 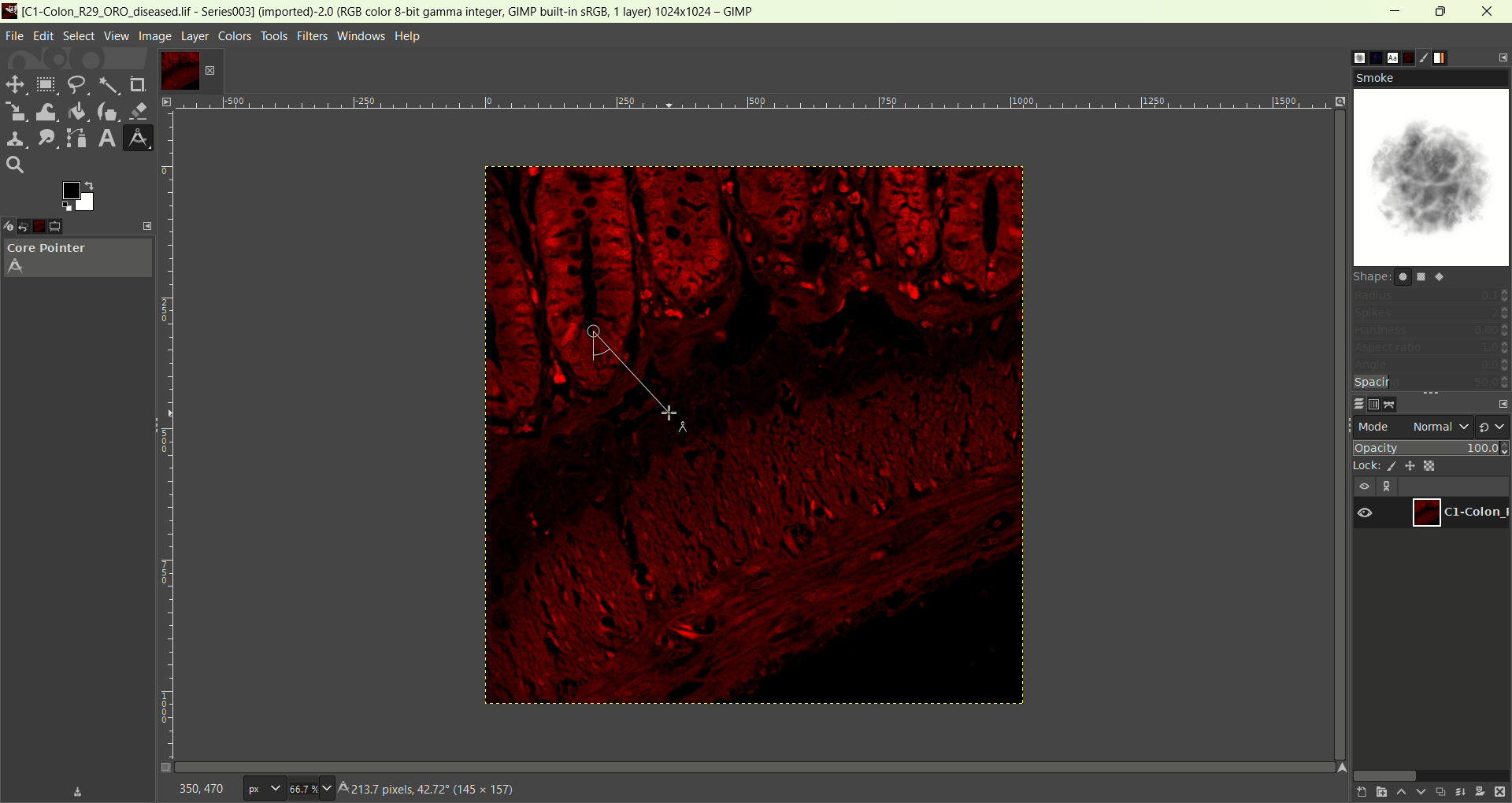 I want to click on lock alpha channel, so click(x=1429, y=465).